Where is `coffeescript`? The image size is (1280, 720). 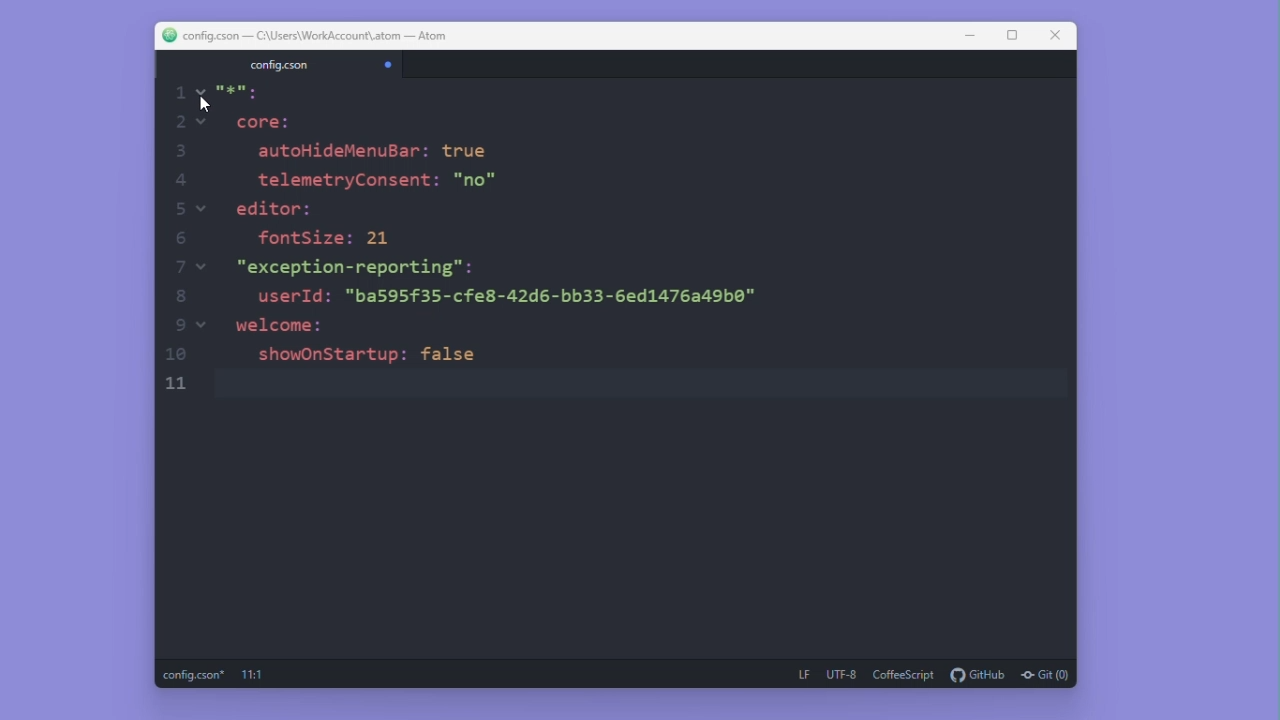 coffeescript is located at coordinates (904, 672).